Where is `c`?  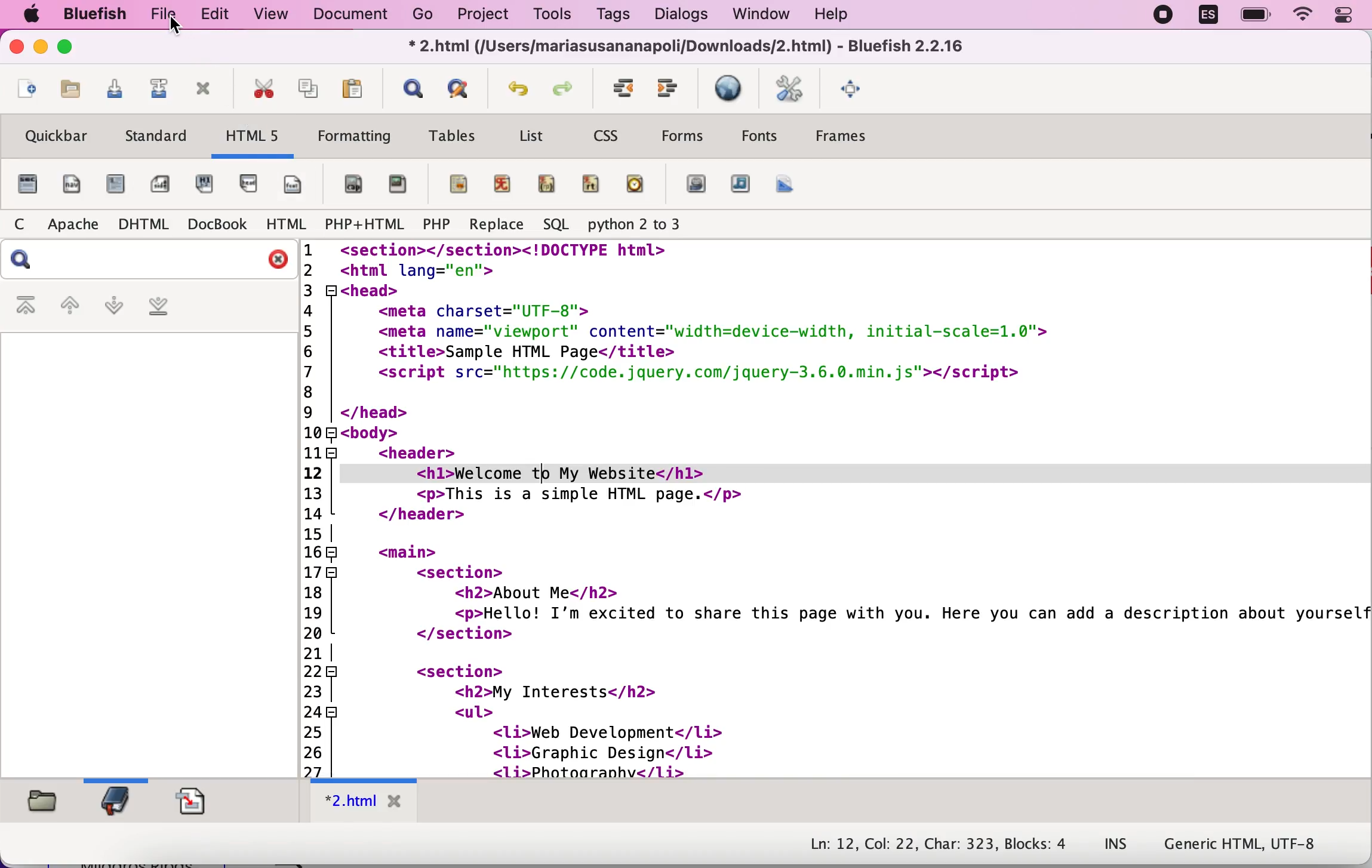 c is located at coordinates (18, 224).